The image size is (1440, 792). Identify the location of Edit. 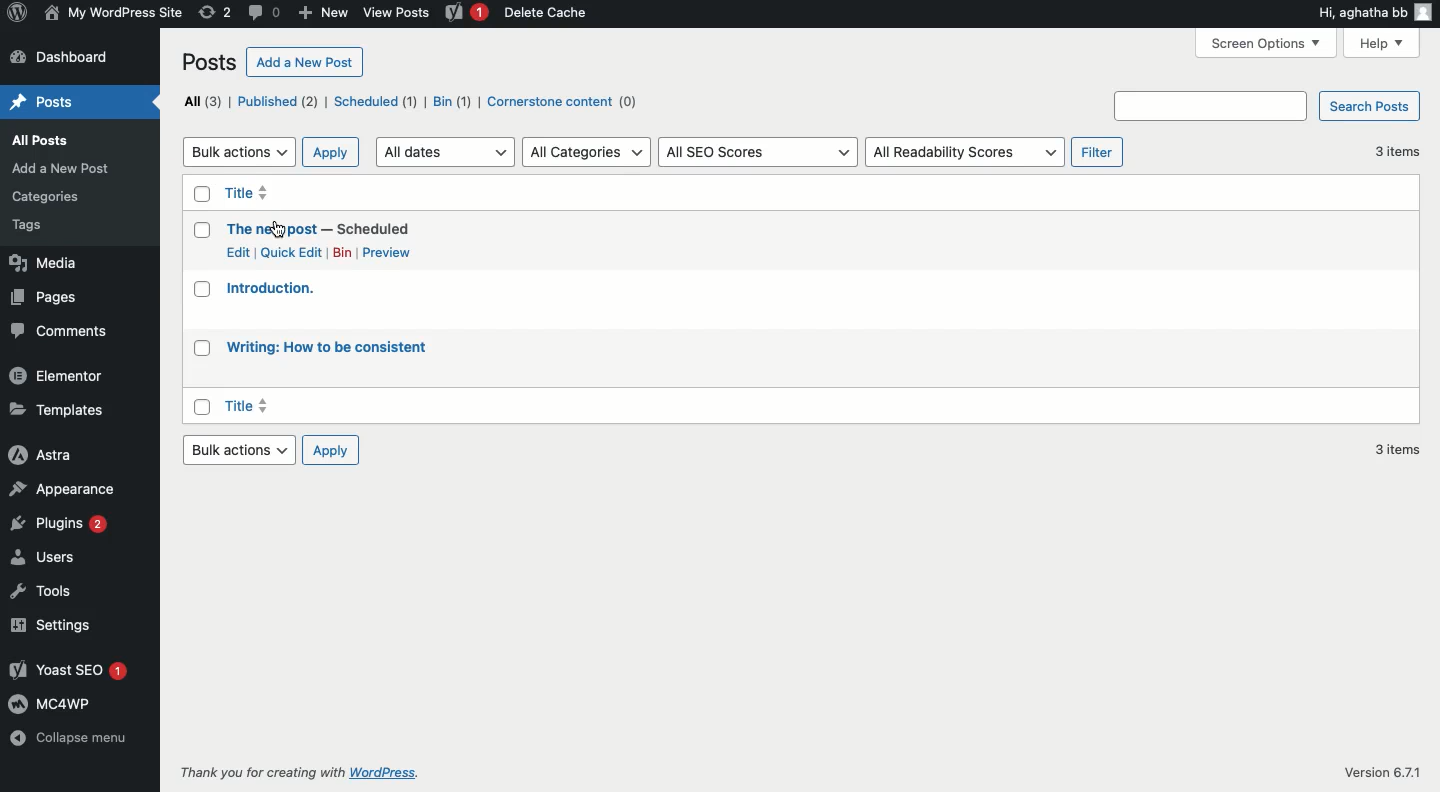
(238, 252).